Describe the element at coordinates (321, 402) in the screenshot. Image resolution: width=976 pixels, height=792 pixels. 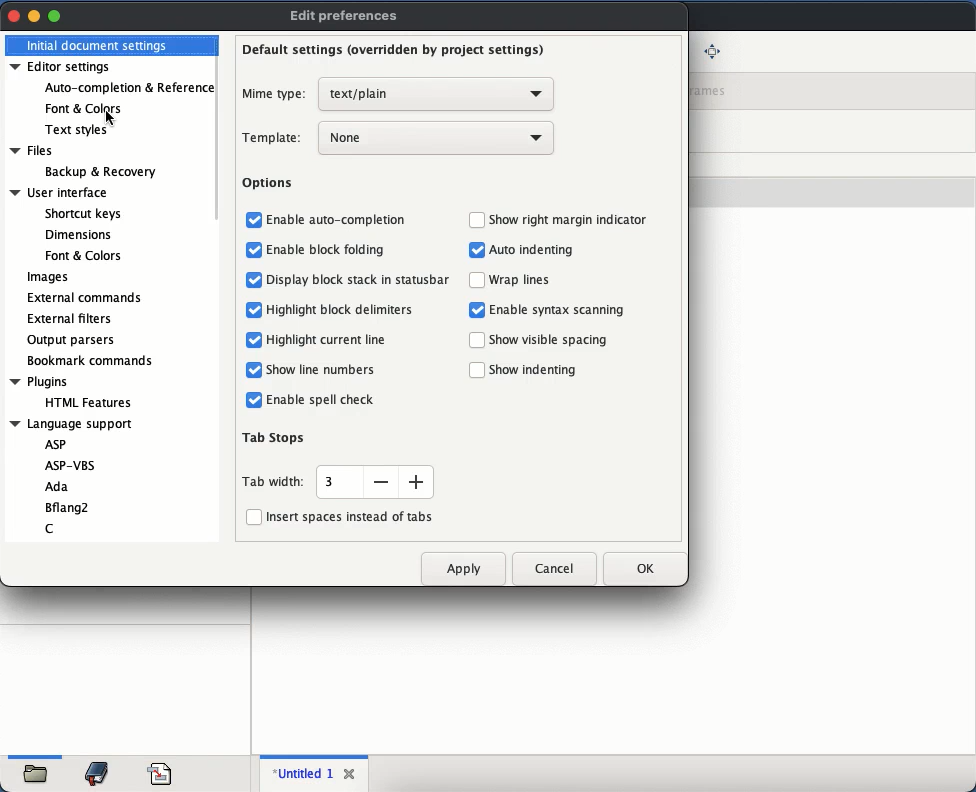
I see `Enable spell check` at that location.